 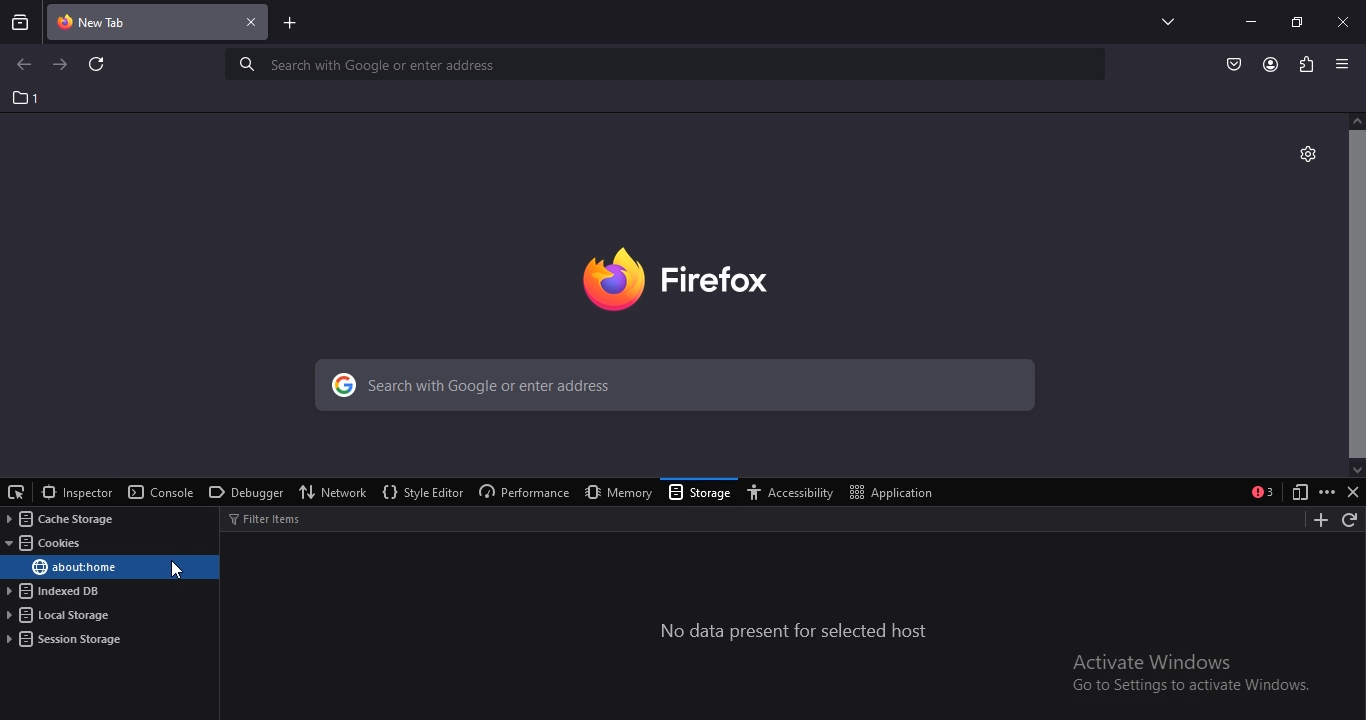 What do you see at coordinates (335, 491) in the screenshot?
I see `network` at bounding box center [335, 491].